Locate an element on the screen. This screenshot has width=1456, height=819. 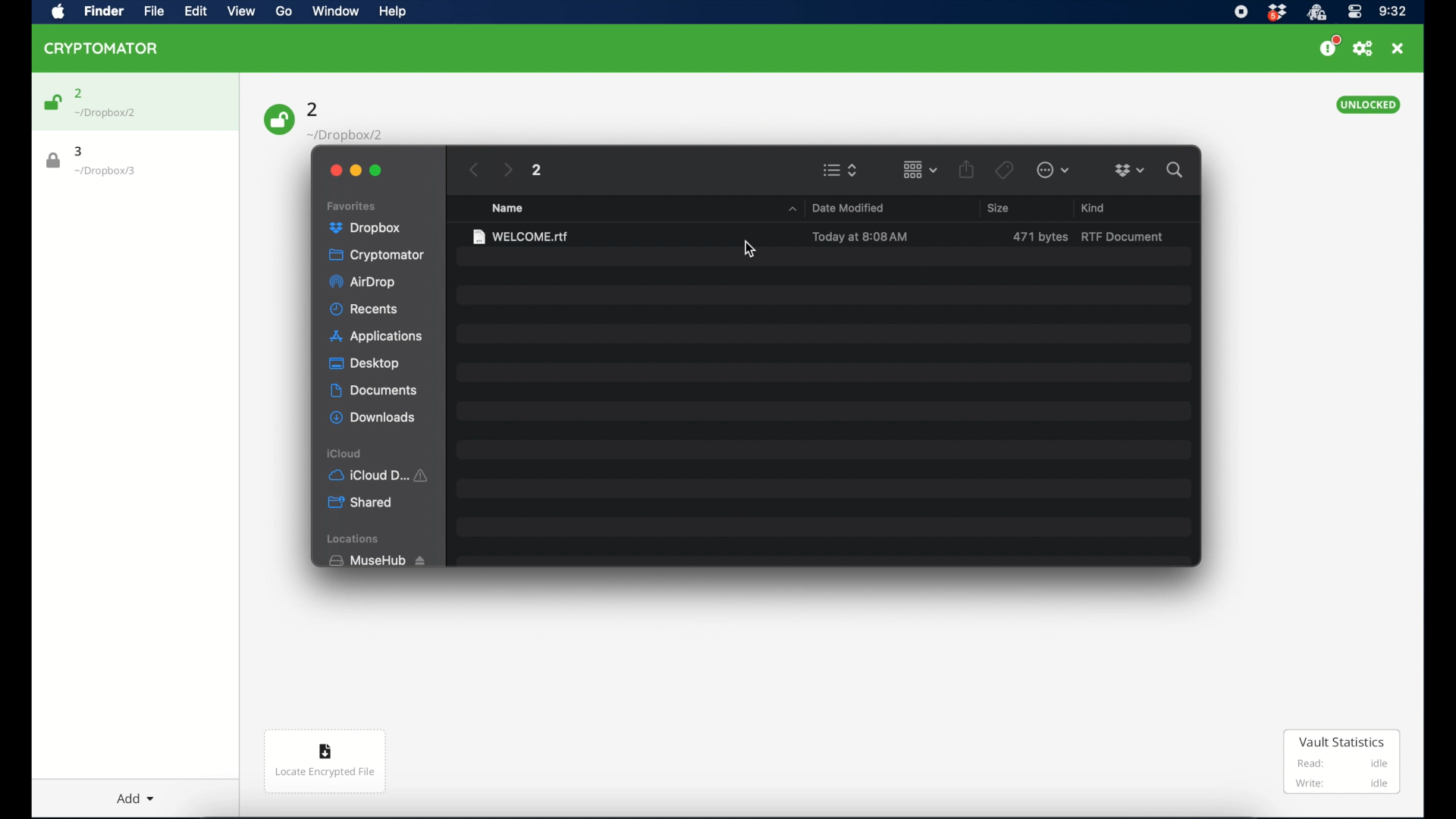
cryptomator is located at coordinates (375, 256).